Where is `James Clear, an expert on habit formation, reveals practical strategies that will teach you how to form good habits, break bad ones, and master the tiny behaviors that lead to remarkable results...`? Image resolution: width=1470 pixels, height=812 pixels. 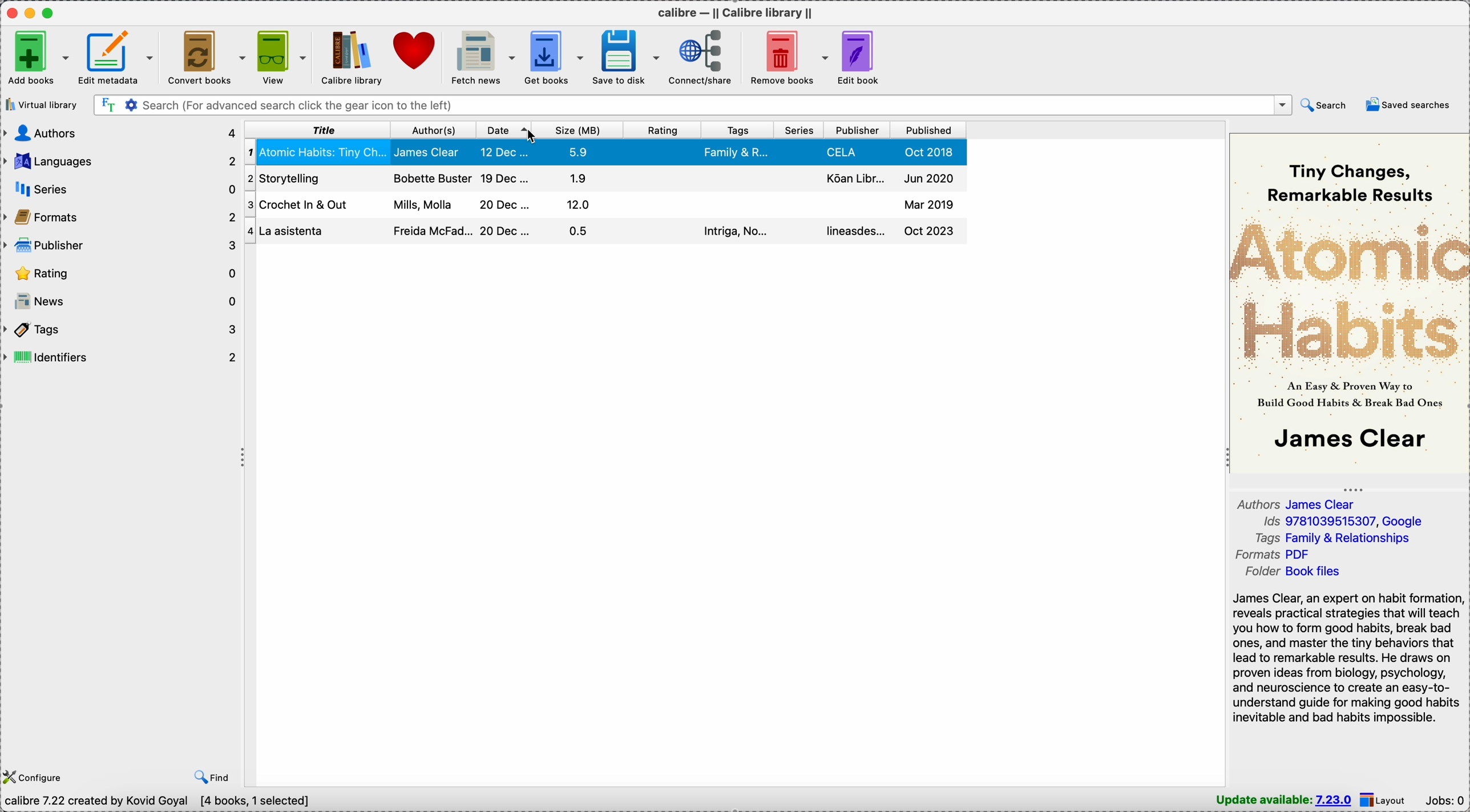 James Clear, an expert on habit formation, reveals practical strategies that will teach you how to form good habits, break bad ones, and master the tiny behaviors that lead to remarkable results... is located at coordinates (1345, 657).